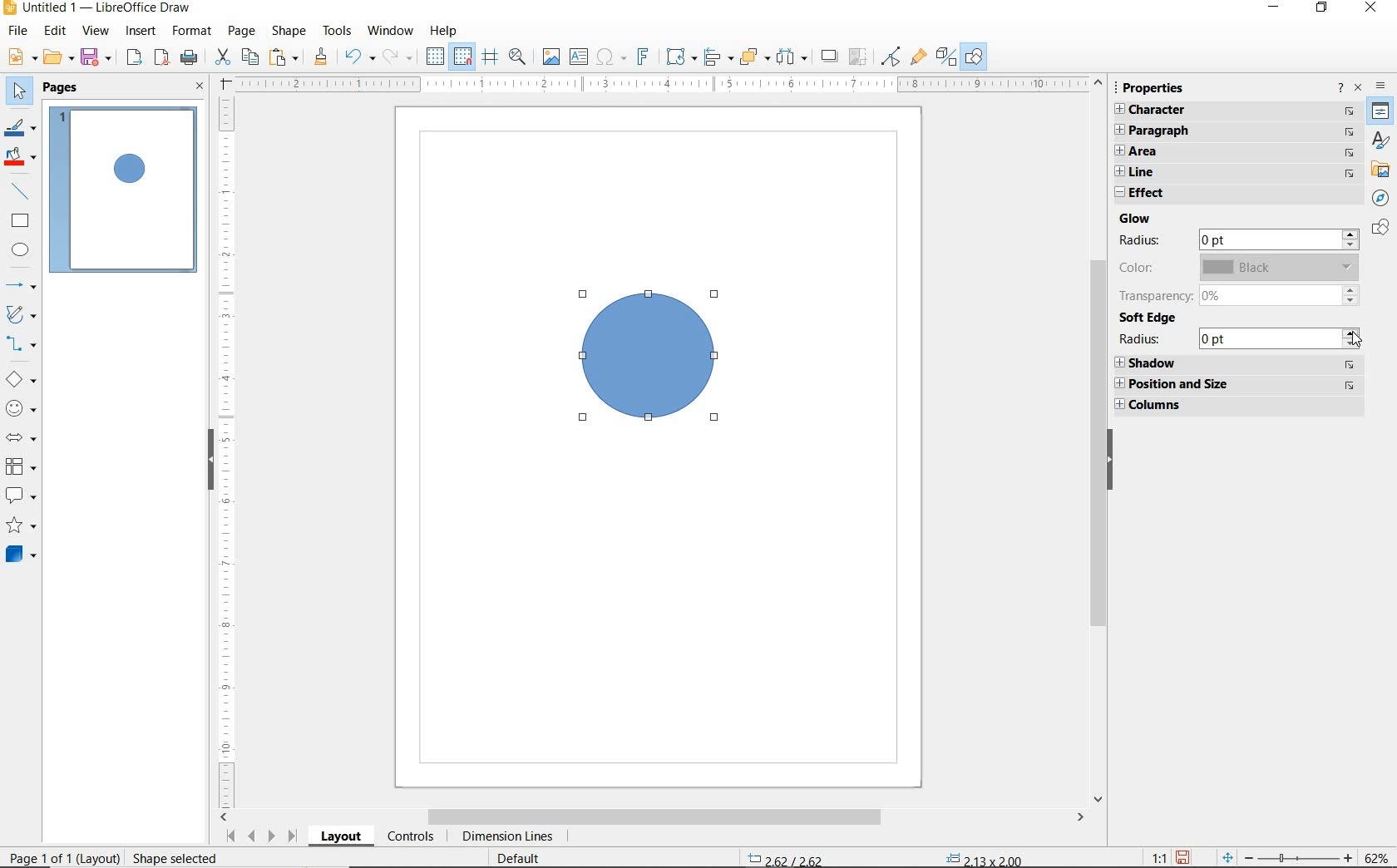 The image size is (1397, 868). What do you see at coordinates (398, 57) in the screenshot?
I see `REDO` at bounding box center [398, 57].